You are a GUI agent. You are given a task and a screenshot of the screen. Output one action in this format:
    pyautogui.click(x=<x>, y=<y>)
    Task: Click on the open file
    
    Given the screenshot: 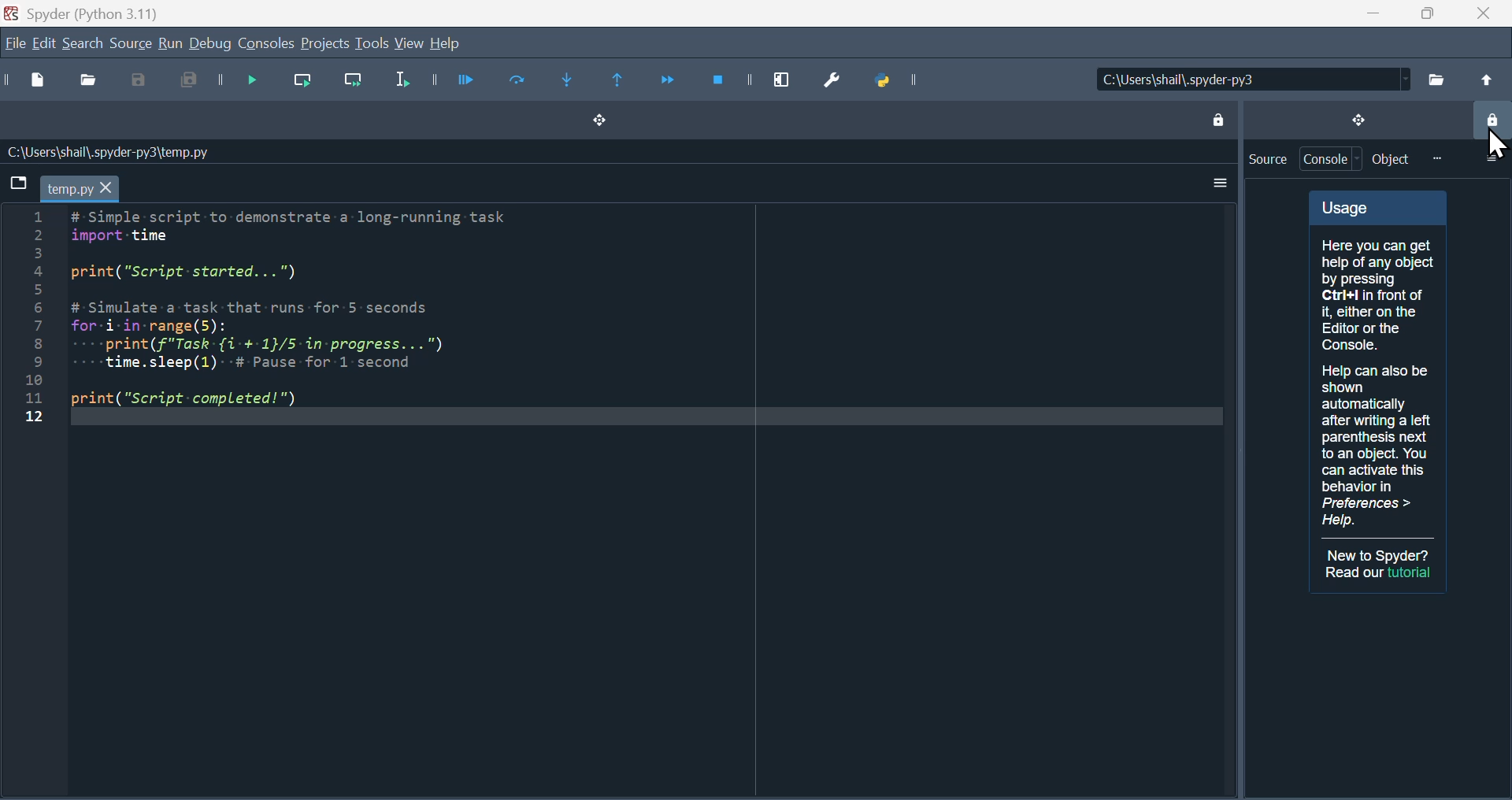 What is the action you would take?
    pyautogui.click(x=91, y=83)
    